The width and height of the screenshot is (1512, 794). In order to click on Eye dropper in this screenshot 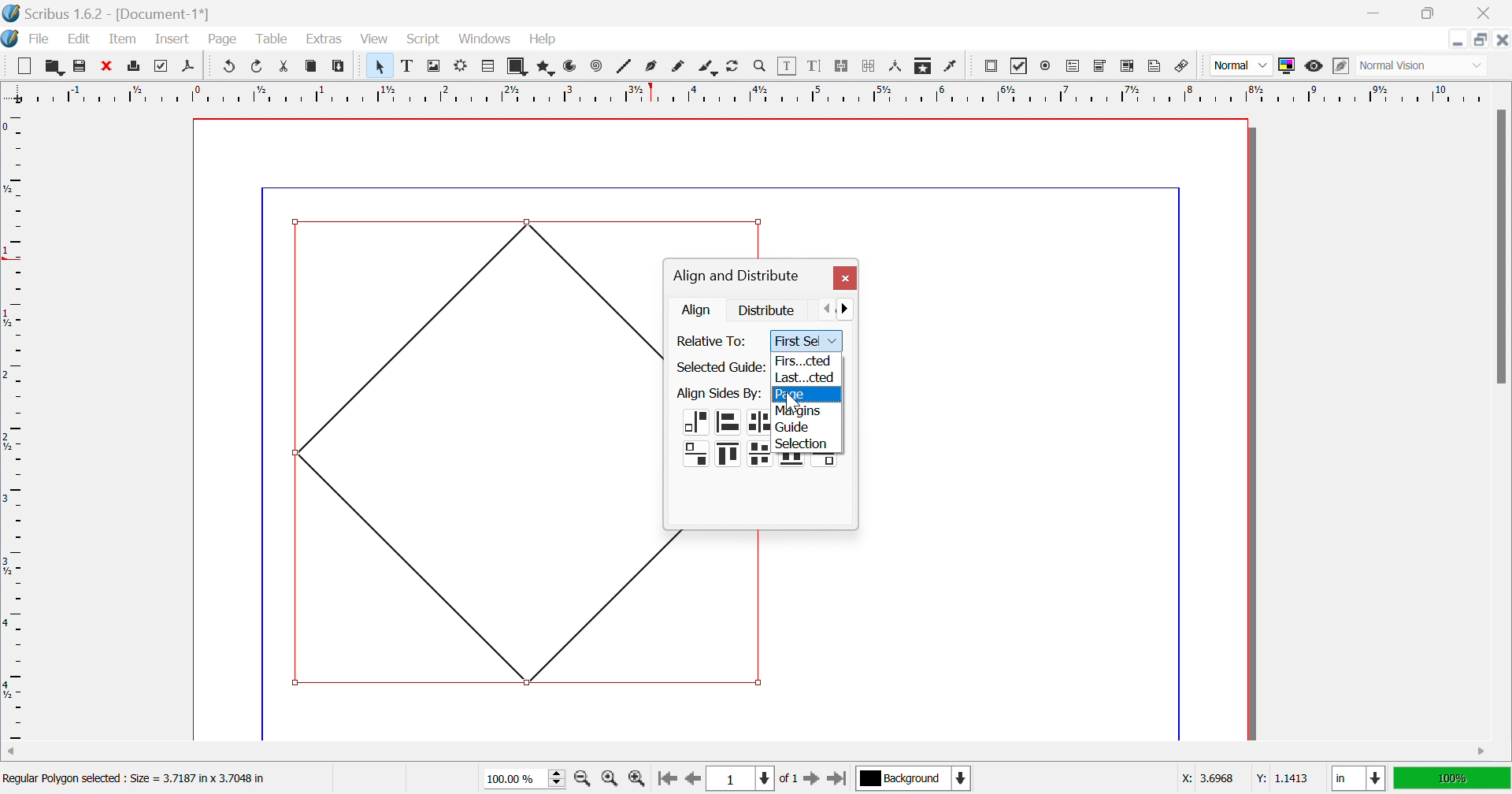, I will do `click(952, 66)`.